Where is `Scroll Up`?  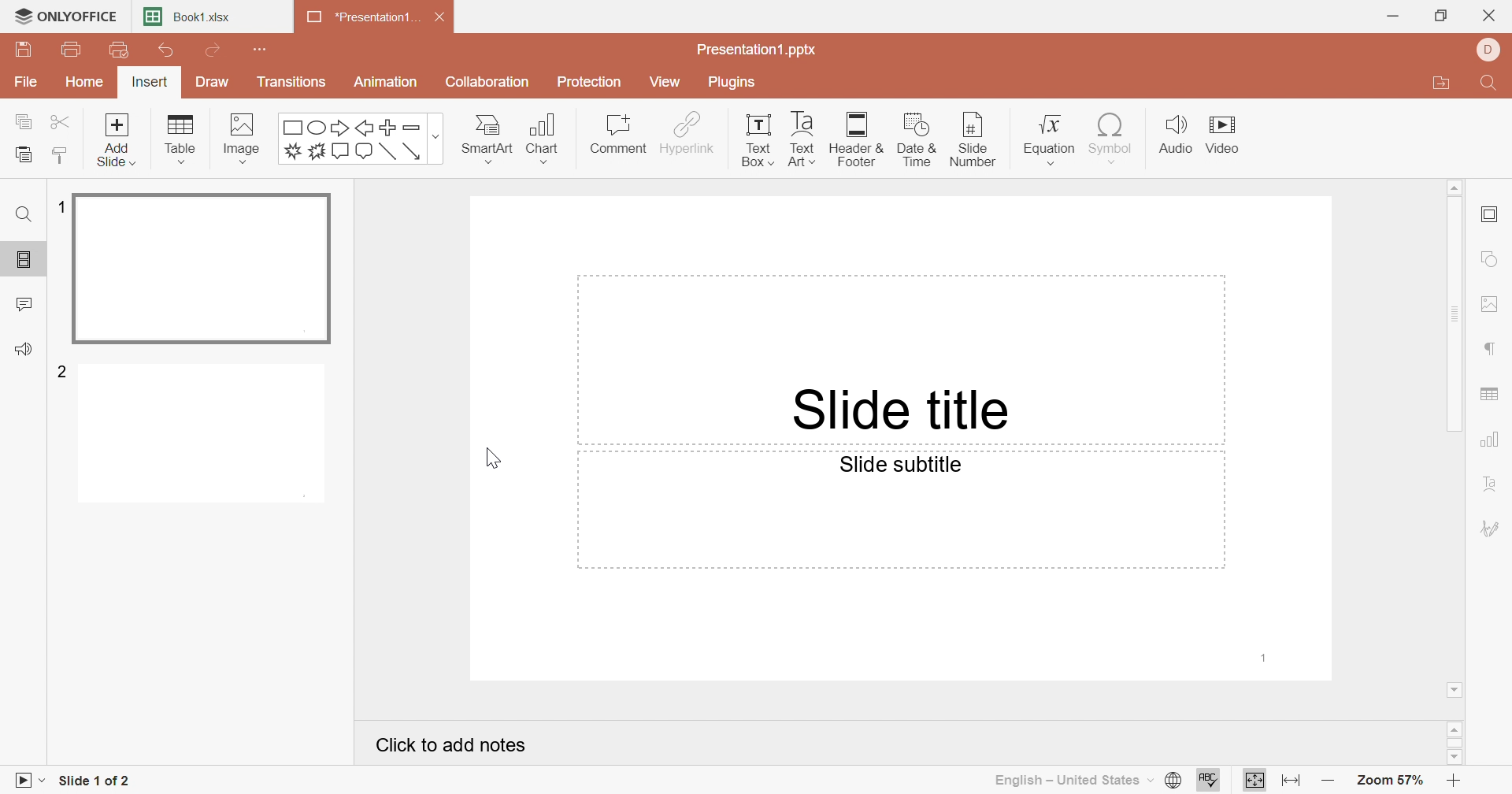
Scroll Up is located at coordinates (1454, 185).